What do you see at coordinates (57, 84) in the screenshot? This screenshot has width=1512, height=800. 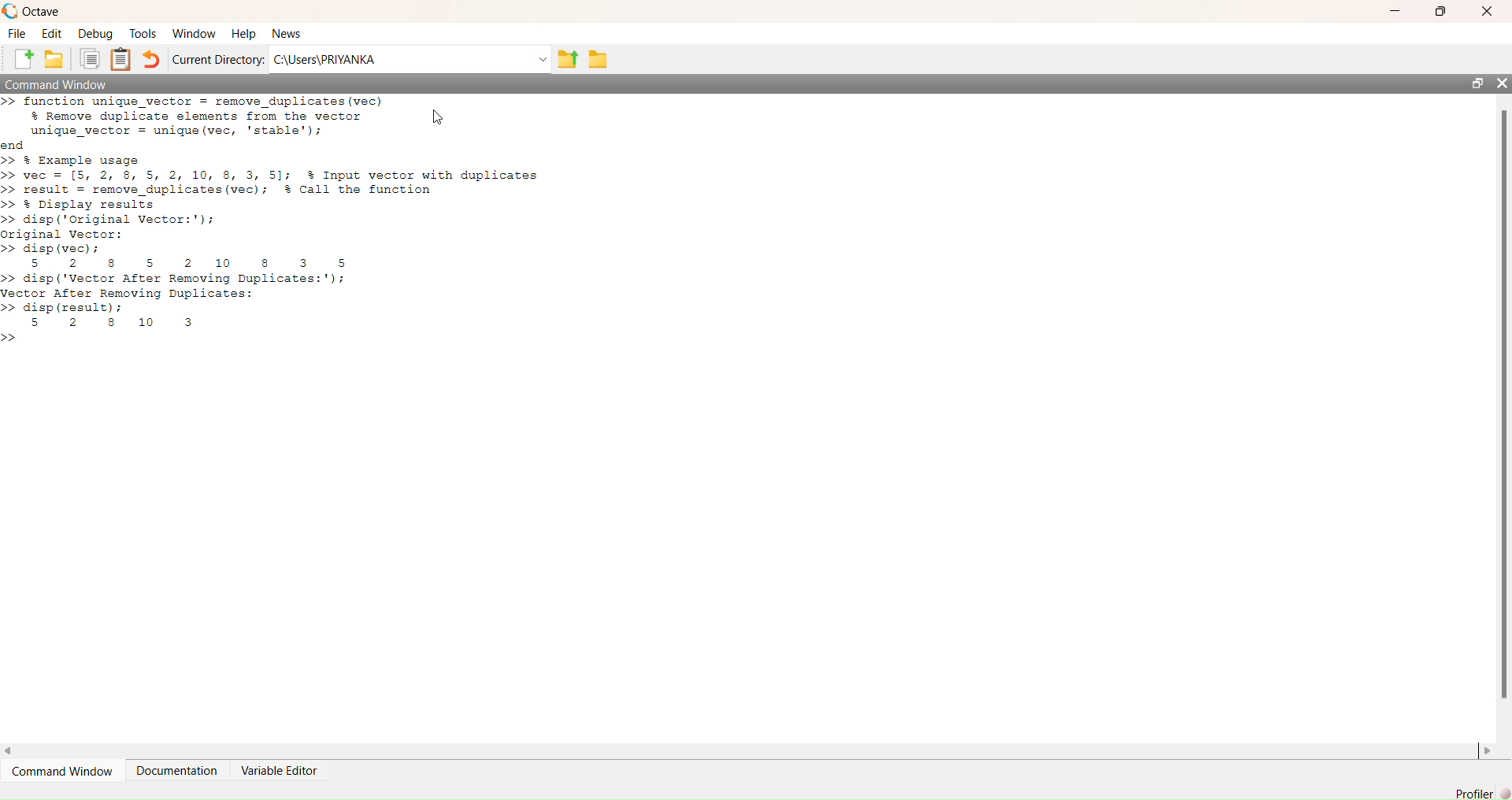 I see `command window` at bounding box center [57, 84].